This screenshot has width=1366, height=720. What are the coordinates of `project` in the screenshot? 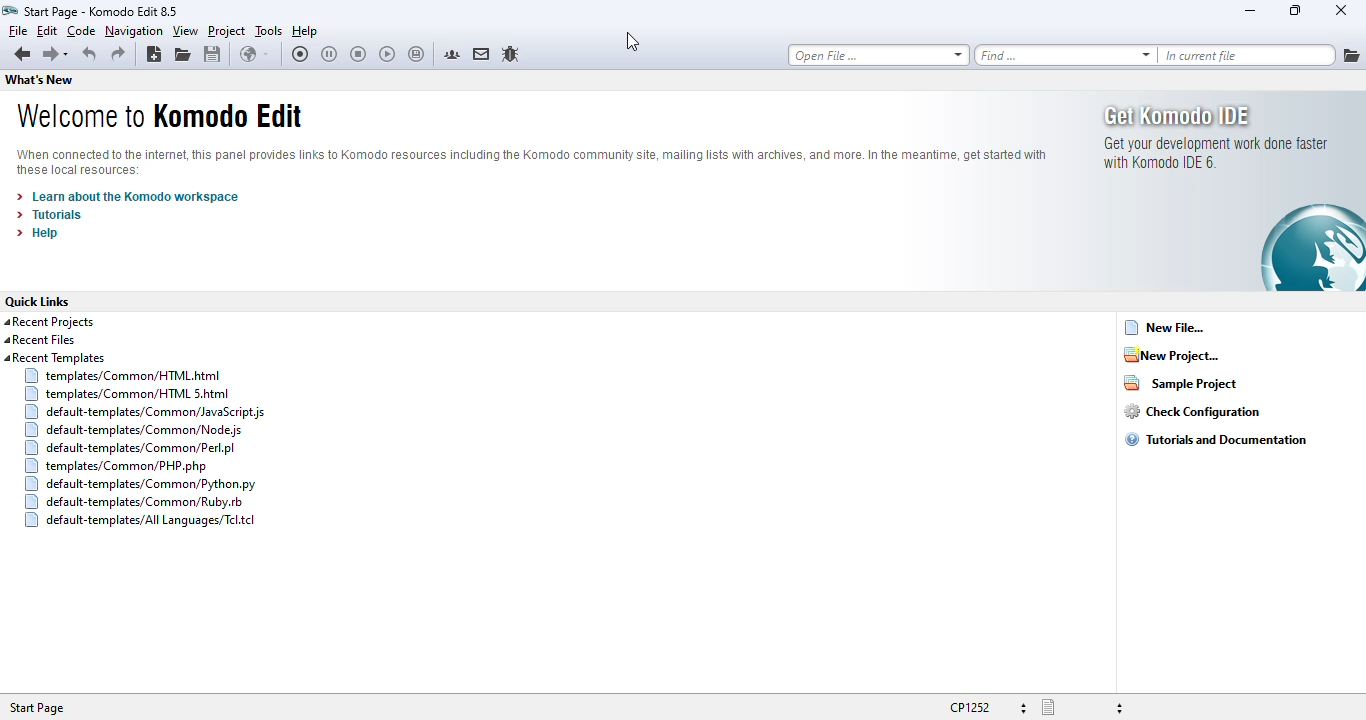 It's located at (227, 31).